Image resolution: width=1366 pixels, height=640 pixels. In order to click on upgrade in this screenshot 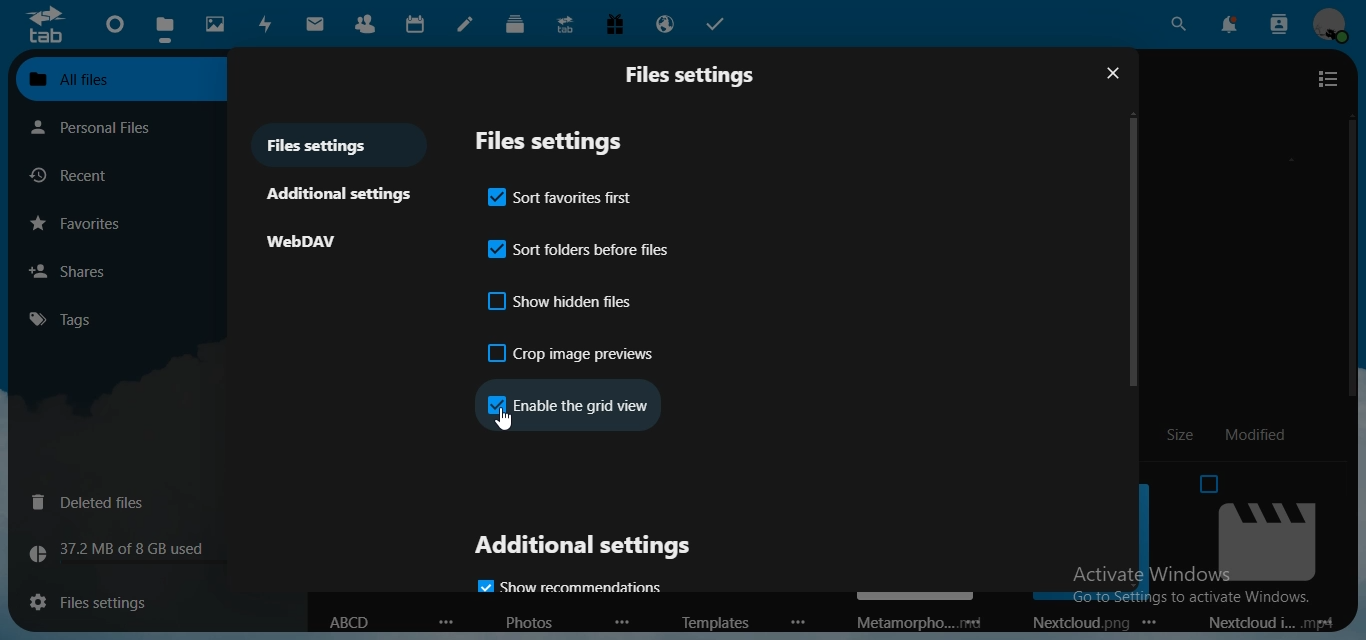, I will do `click(567, 24)`.